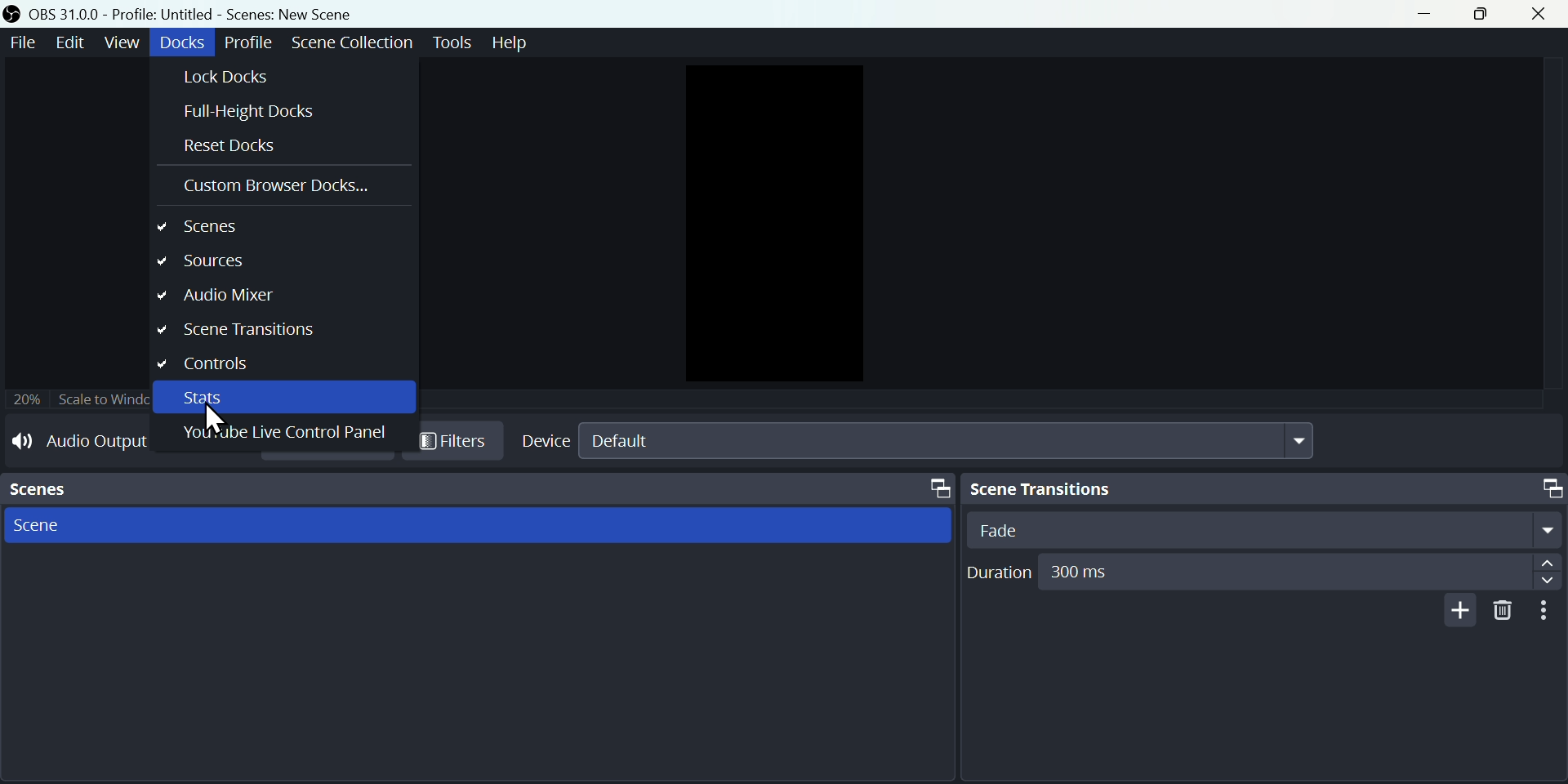  Describe the element at coordinates (1505, 612) in the screenshot. I see `delete` at that location.